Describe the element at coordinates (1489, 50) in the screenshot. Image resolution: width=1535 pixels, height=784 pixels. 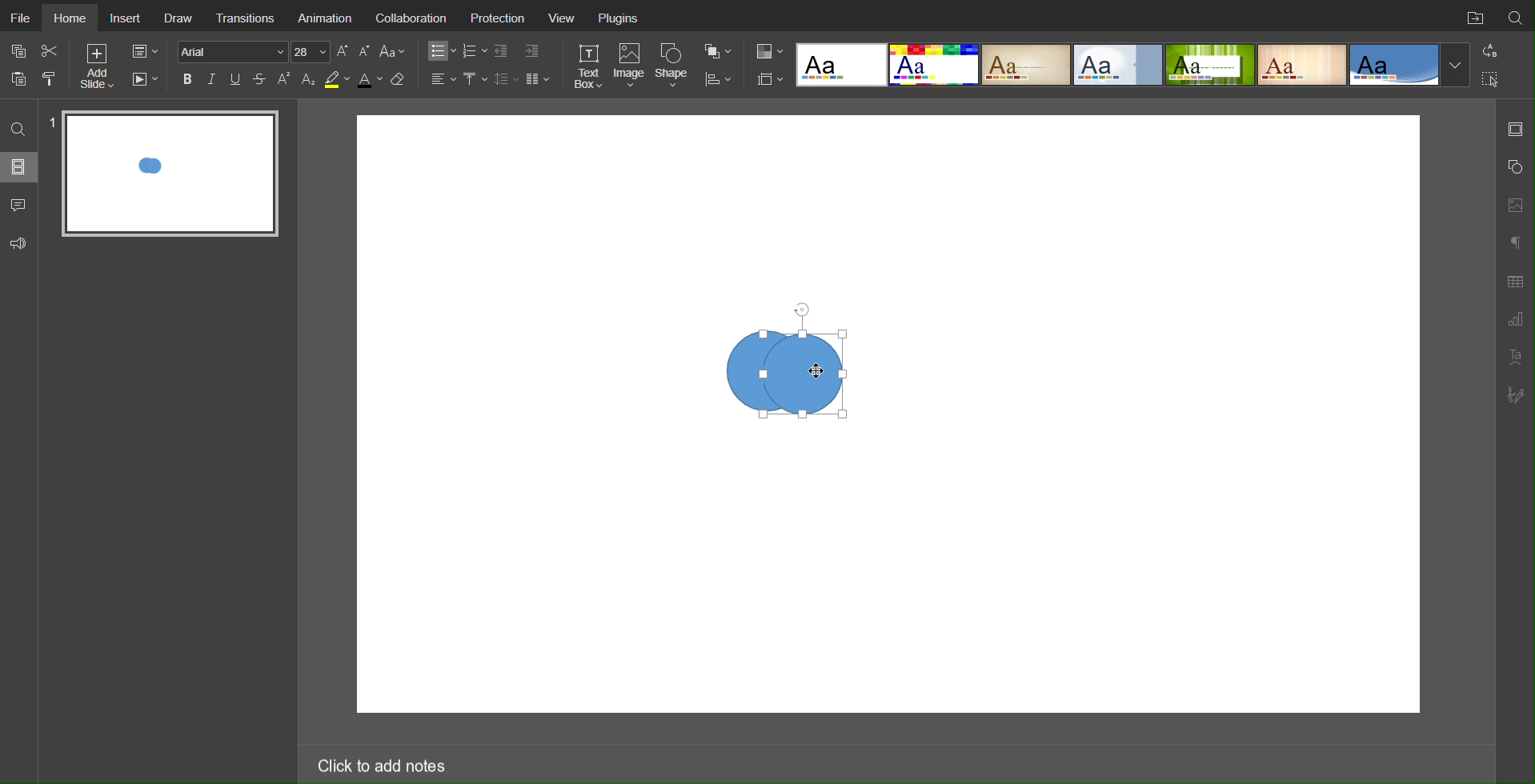
I see `Replace` at that location.